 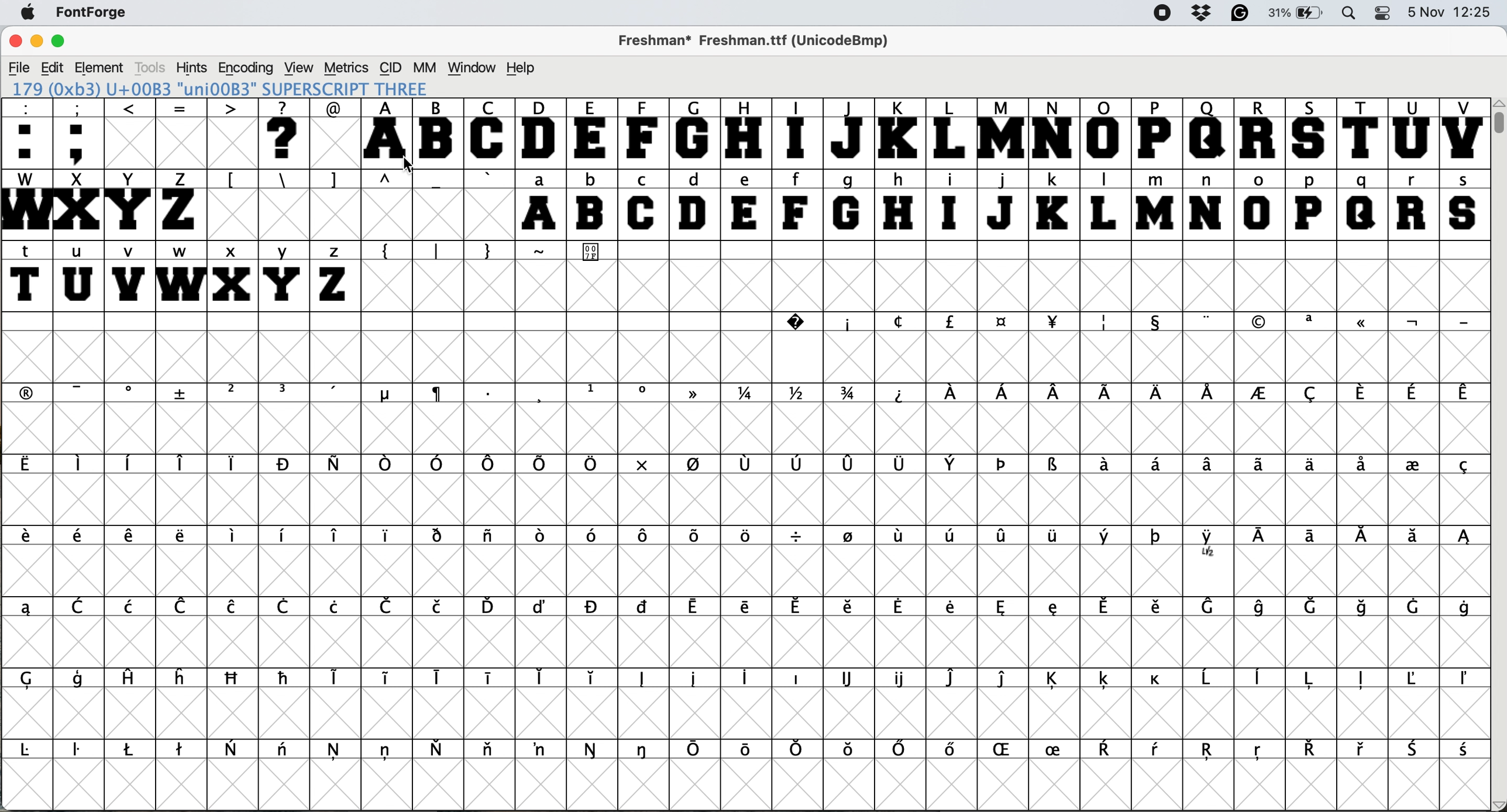 What do you see at coordinates (1159, 323) in the screenshot?
I see `symbol` at bounding box center [1159, 323].